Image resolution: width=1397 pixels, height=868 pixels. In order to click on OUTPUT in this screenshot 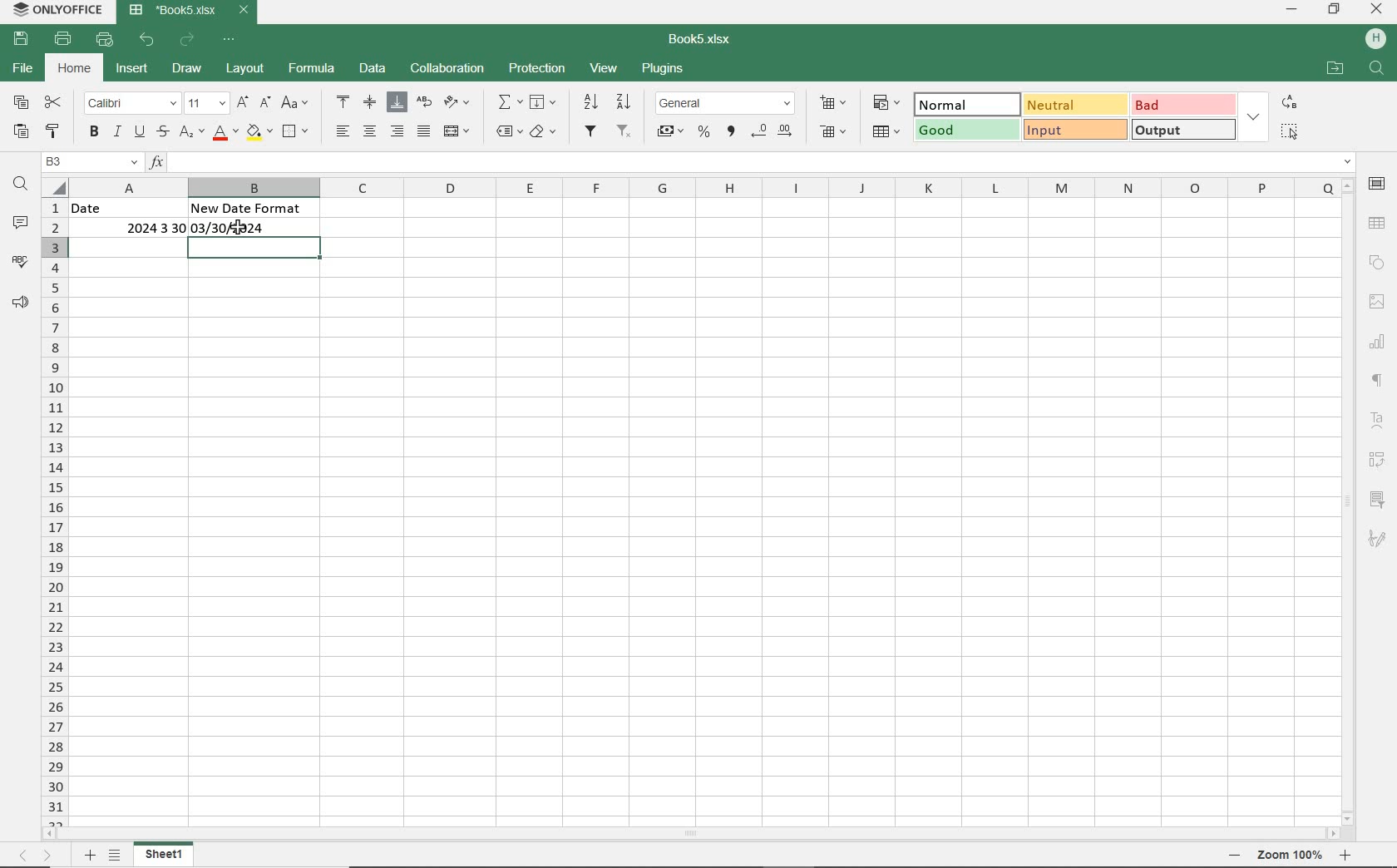, I will do `click(1185, 129)`.